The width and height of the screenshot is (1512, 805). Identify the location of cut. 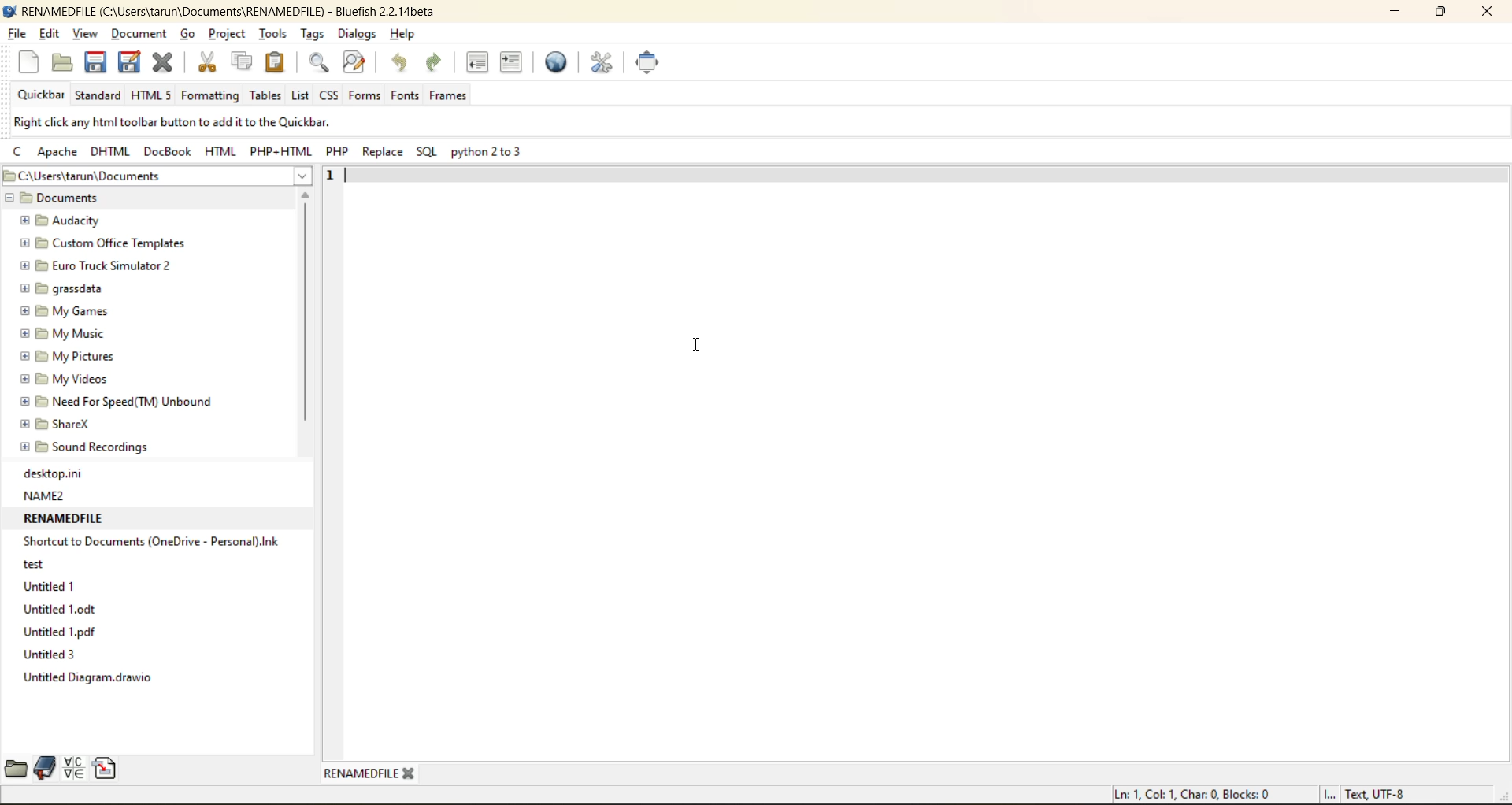
(209, 62).